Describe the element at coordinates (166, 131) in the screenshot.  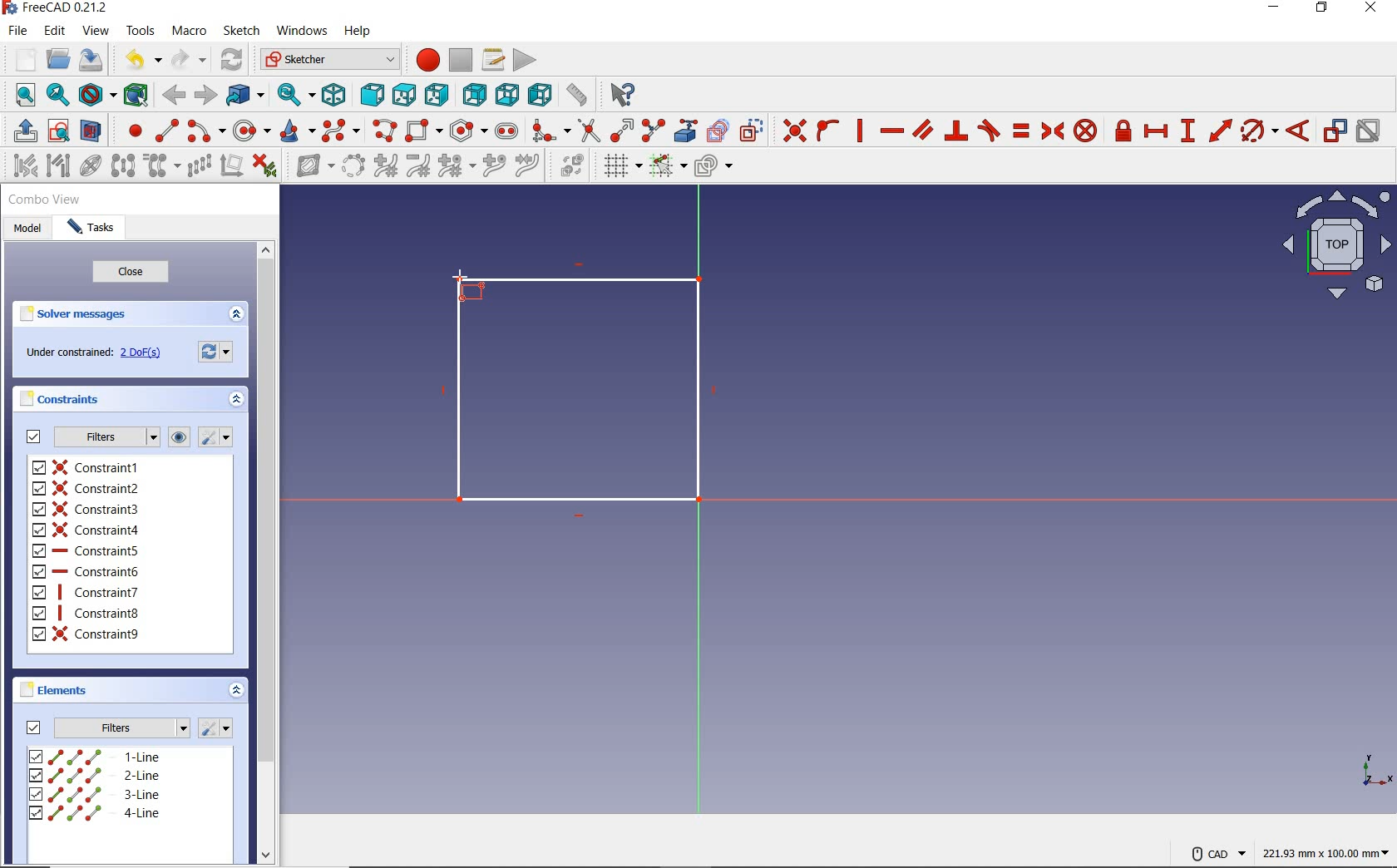
I see `create line` at that location.